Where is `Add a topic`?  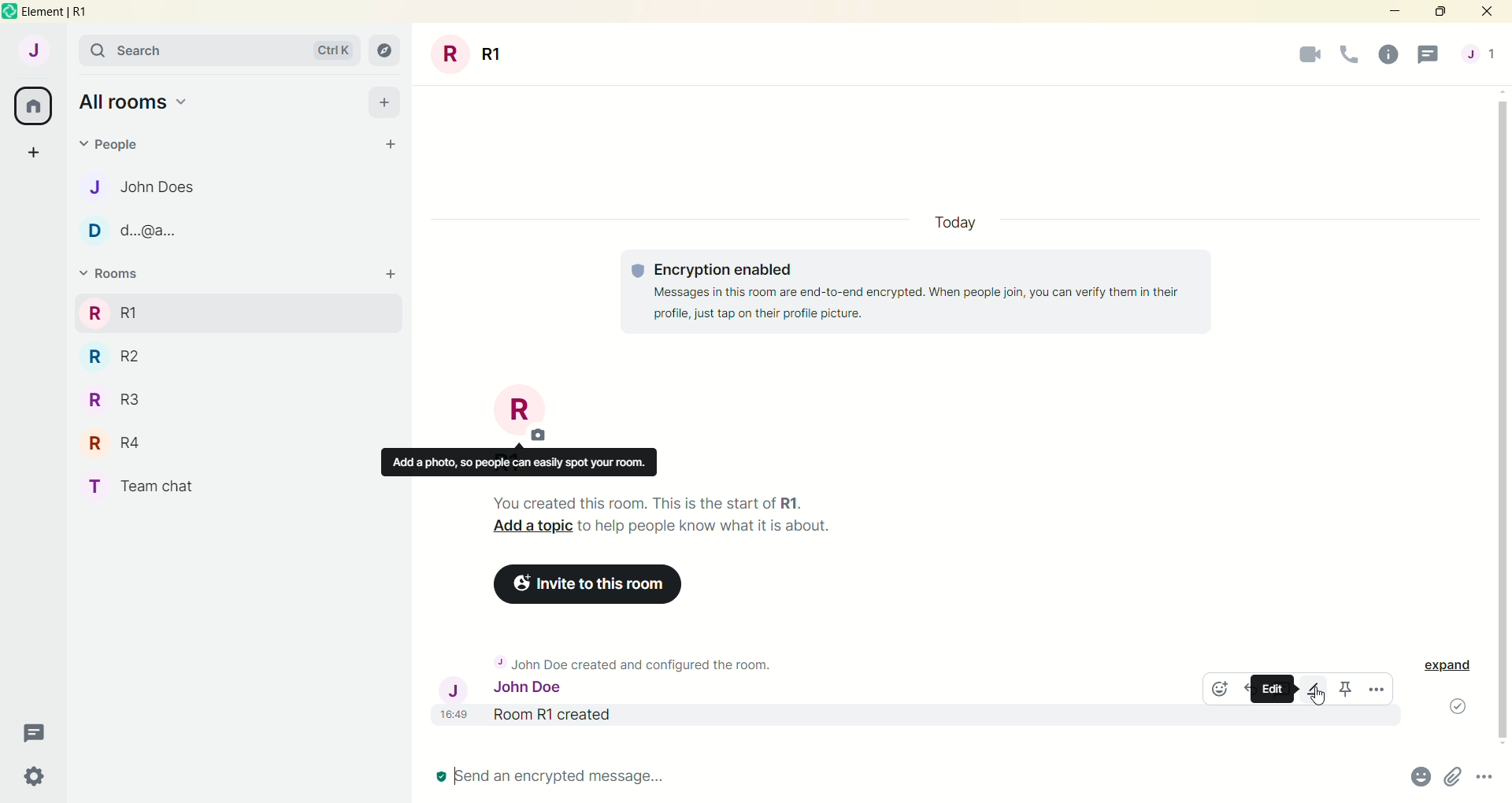 Add a topic is located at coordinates (525, 526).